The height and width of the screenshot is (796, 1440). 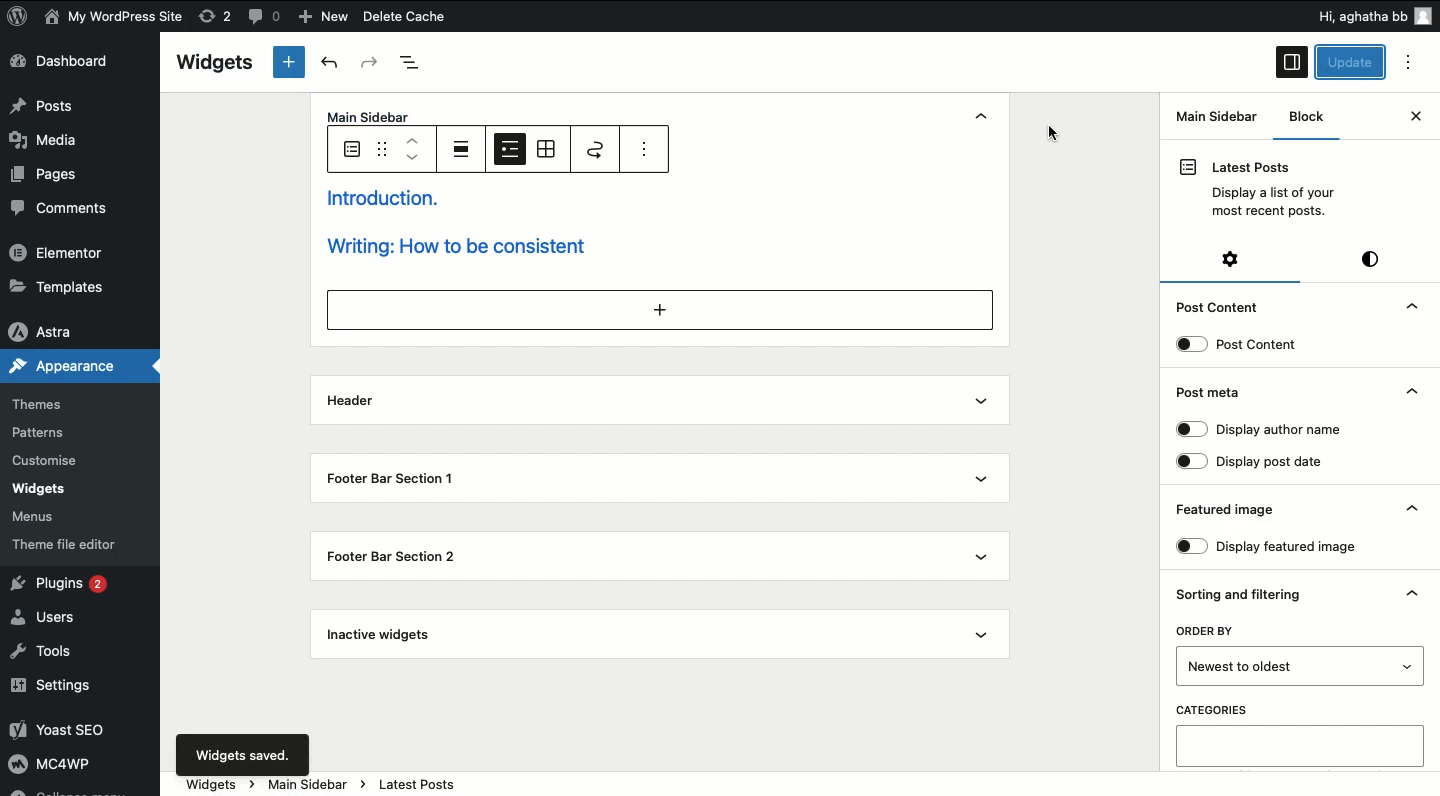 I want to click on comments, so click(x=266, y=18).